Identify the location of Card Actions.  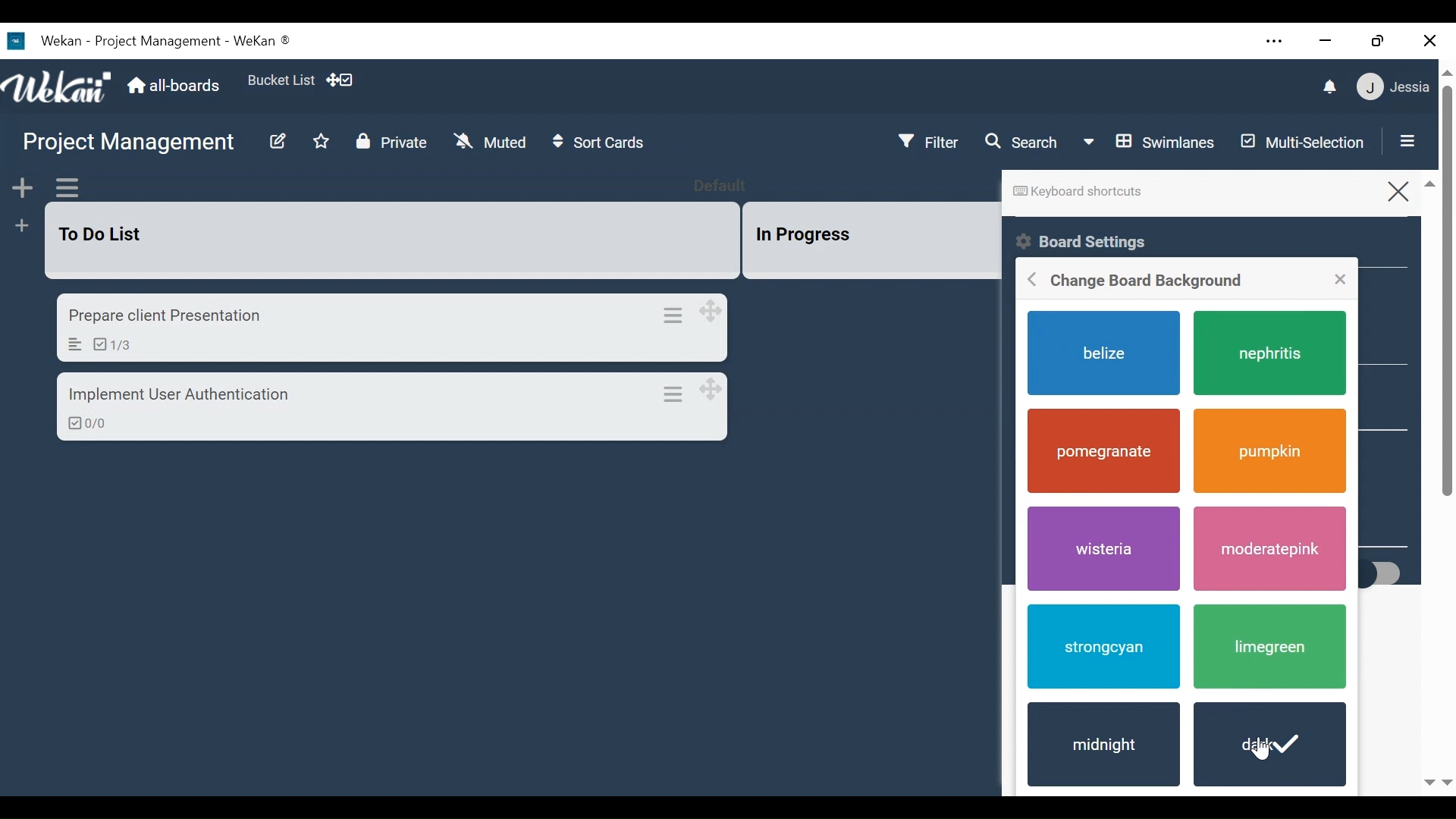
(681, 314).